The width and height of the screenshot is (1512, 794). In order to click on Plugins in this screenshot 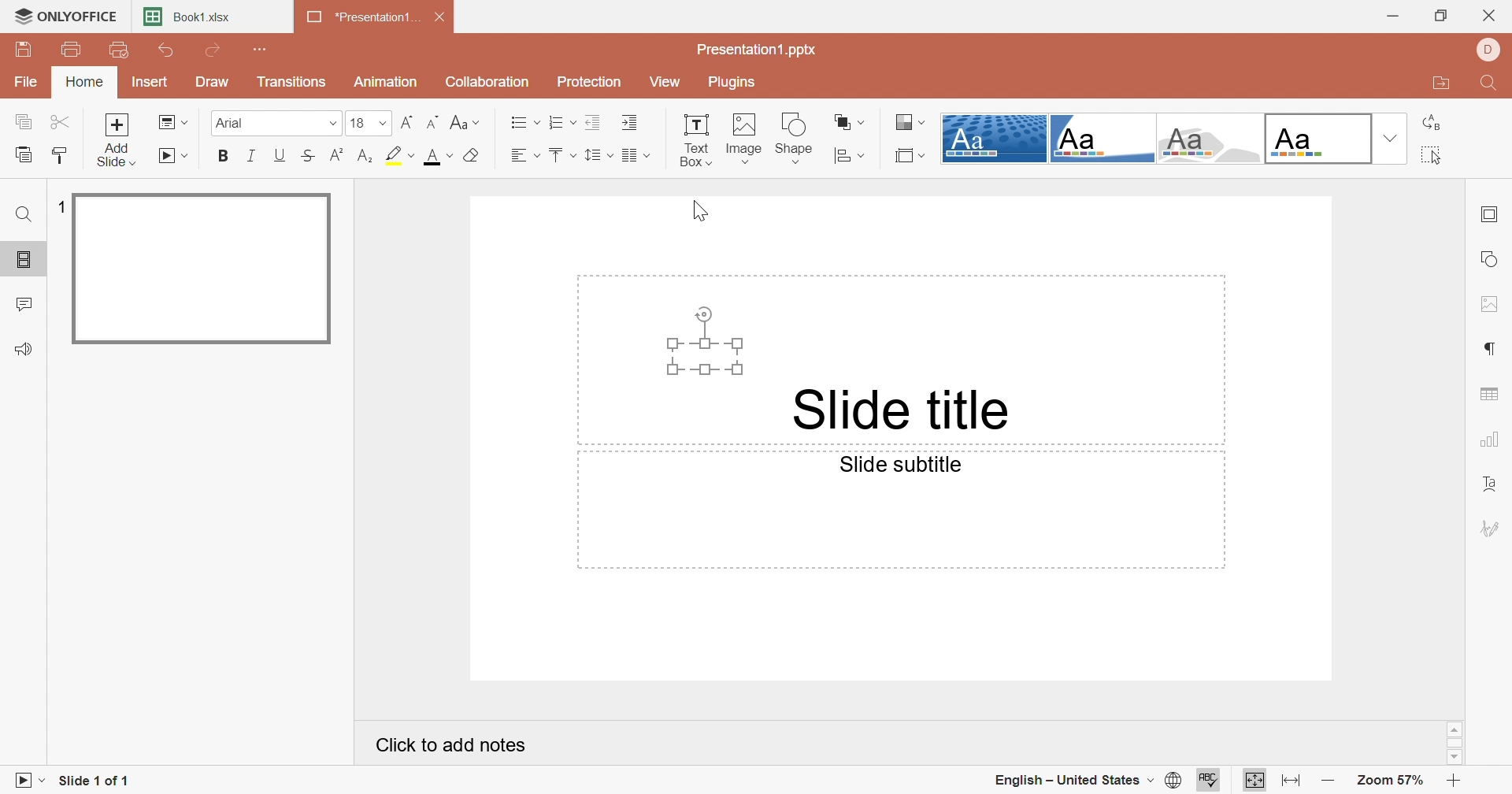, I will do `click(731, 82)`.